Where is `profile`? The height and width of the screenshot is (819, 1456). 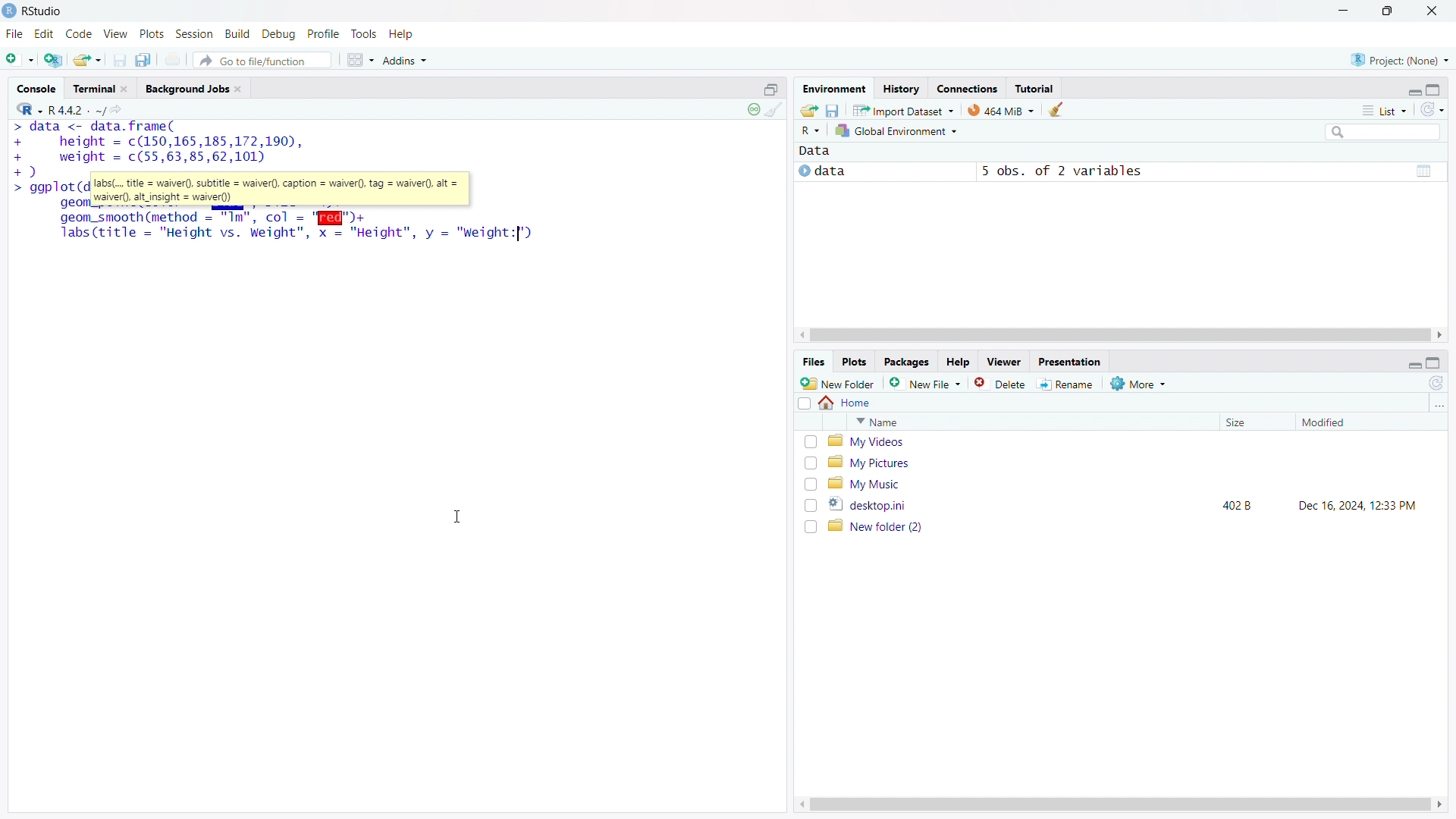 profile is located at coordinates (324, 34).